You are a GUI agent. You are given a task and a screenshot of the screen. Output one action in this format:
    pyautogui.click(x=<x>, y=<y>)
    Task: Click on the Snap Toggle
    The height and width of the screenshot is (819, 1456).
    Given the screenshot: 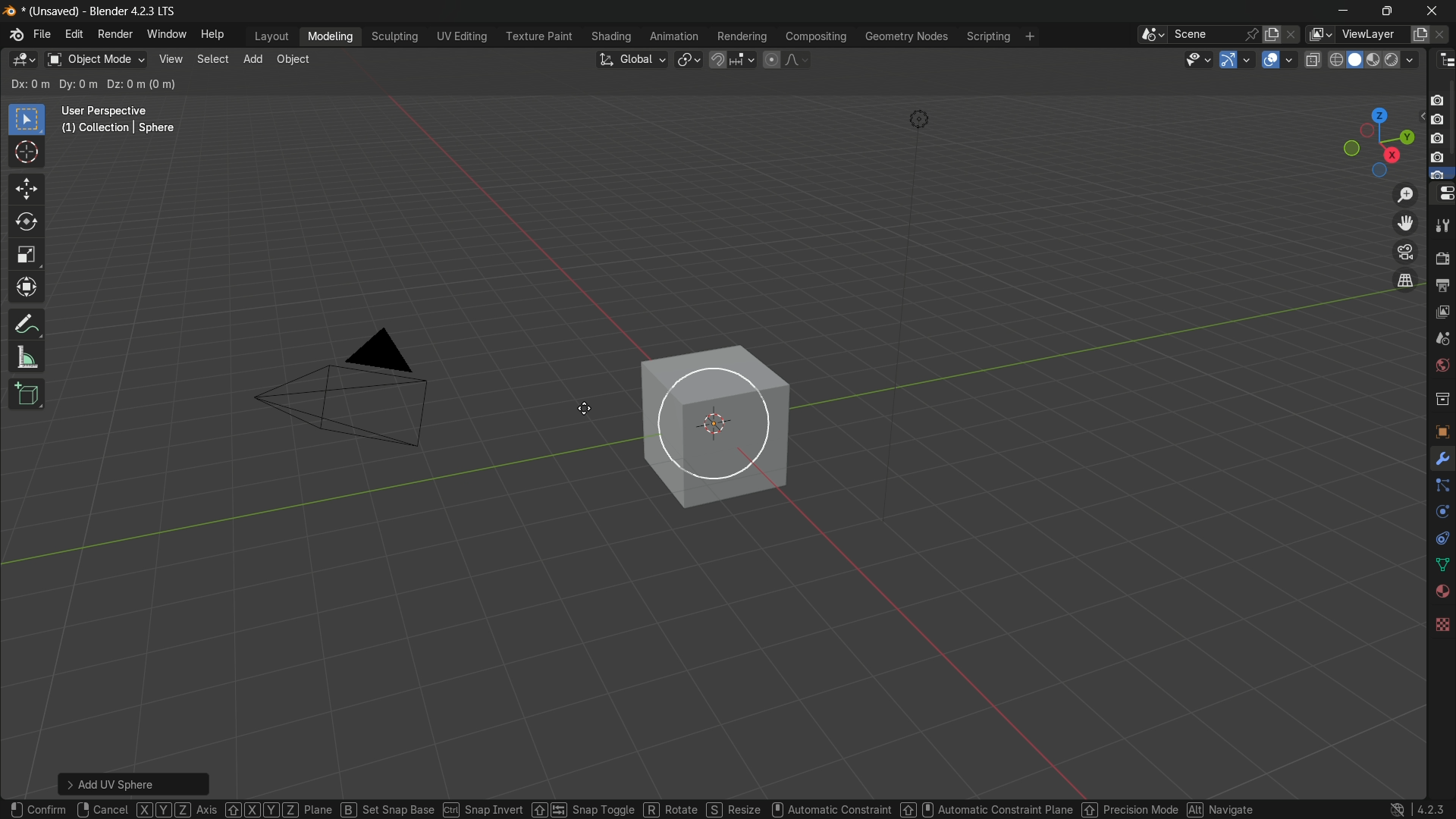 What is the action you would take?
    pyautogui.click(x=582, y=808)
    